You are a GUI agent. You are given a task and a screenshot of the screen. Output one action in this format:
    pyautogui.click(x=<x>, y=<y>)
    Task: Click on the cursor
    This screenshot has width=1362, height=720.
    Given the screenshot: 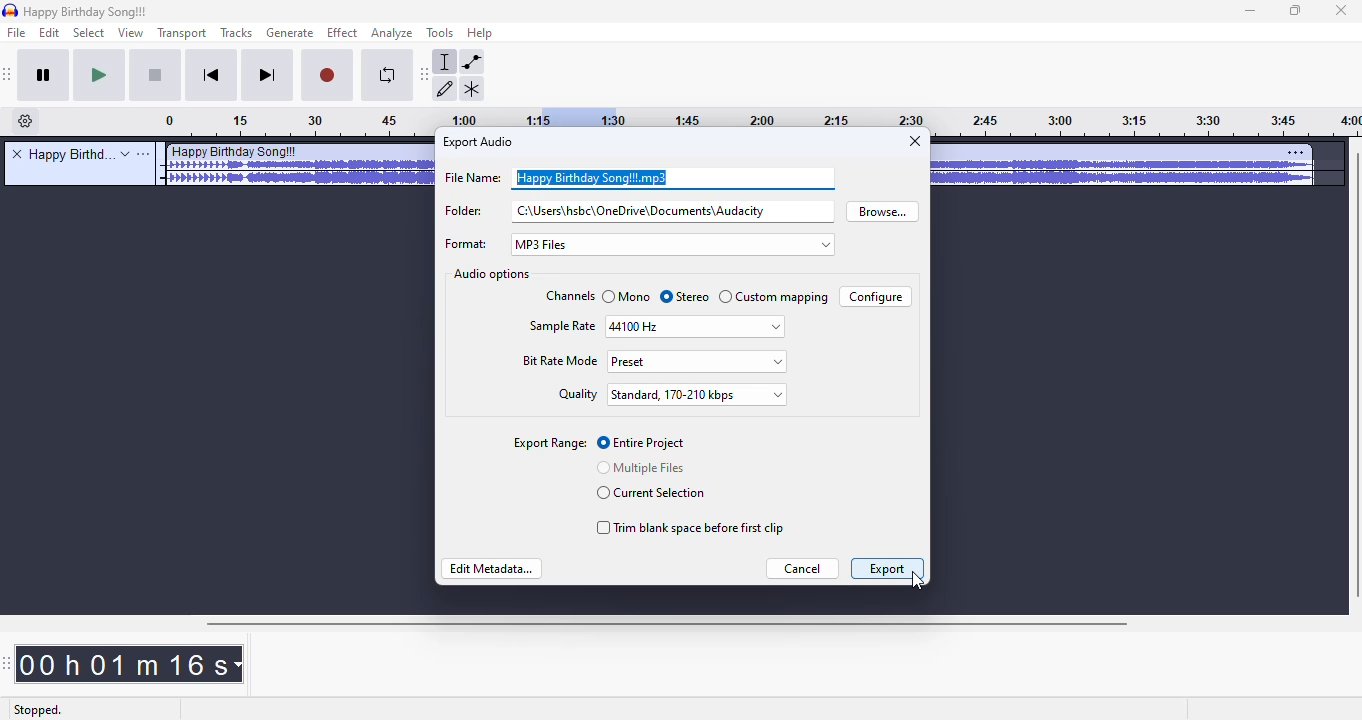 What is the action you would take?
    pyautogui.click(x=918, y=582)
    